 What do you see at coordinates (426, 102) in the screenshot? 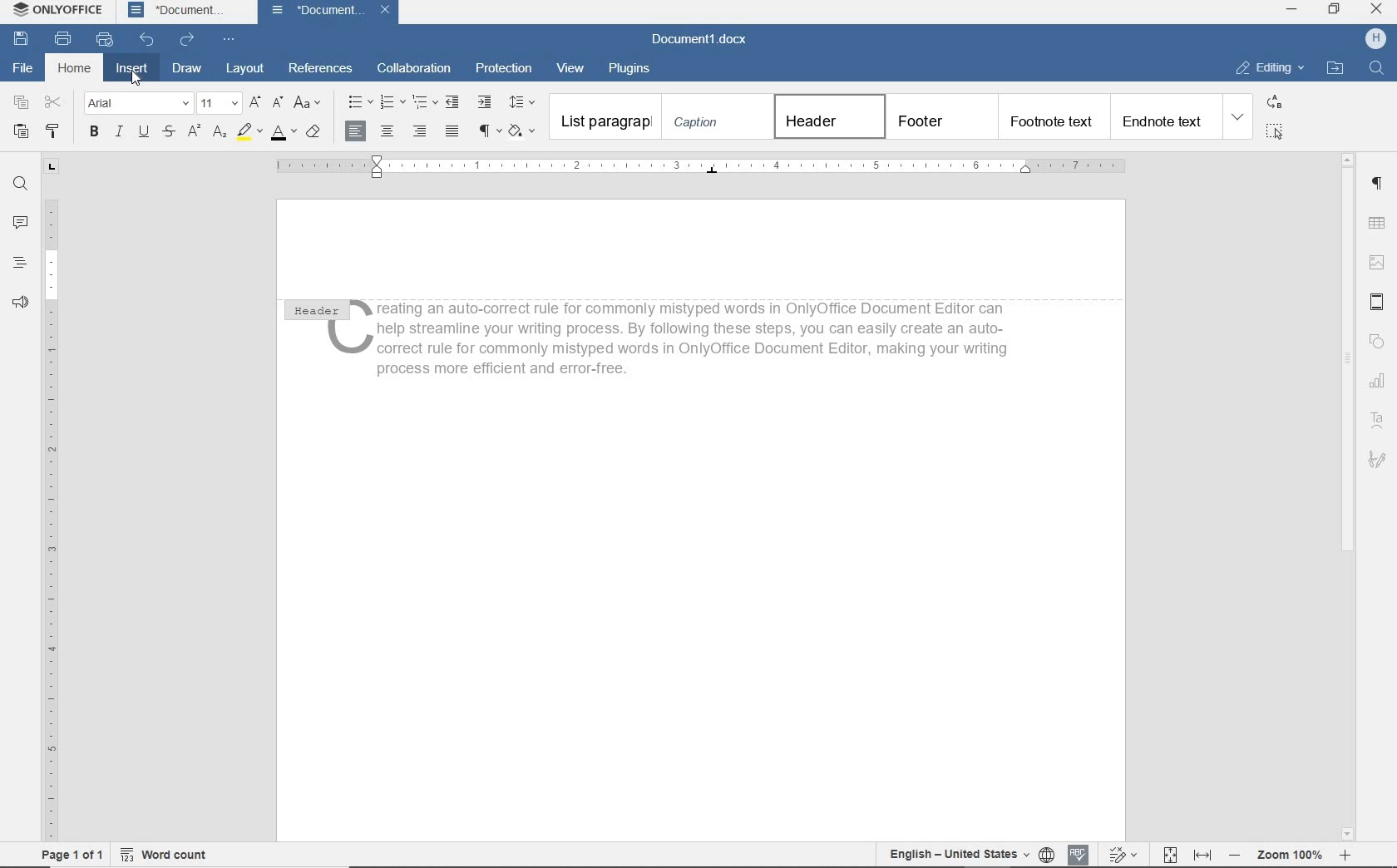
I see `MULTILEVEL LIST` at bounding box center [426, 102].